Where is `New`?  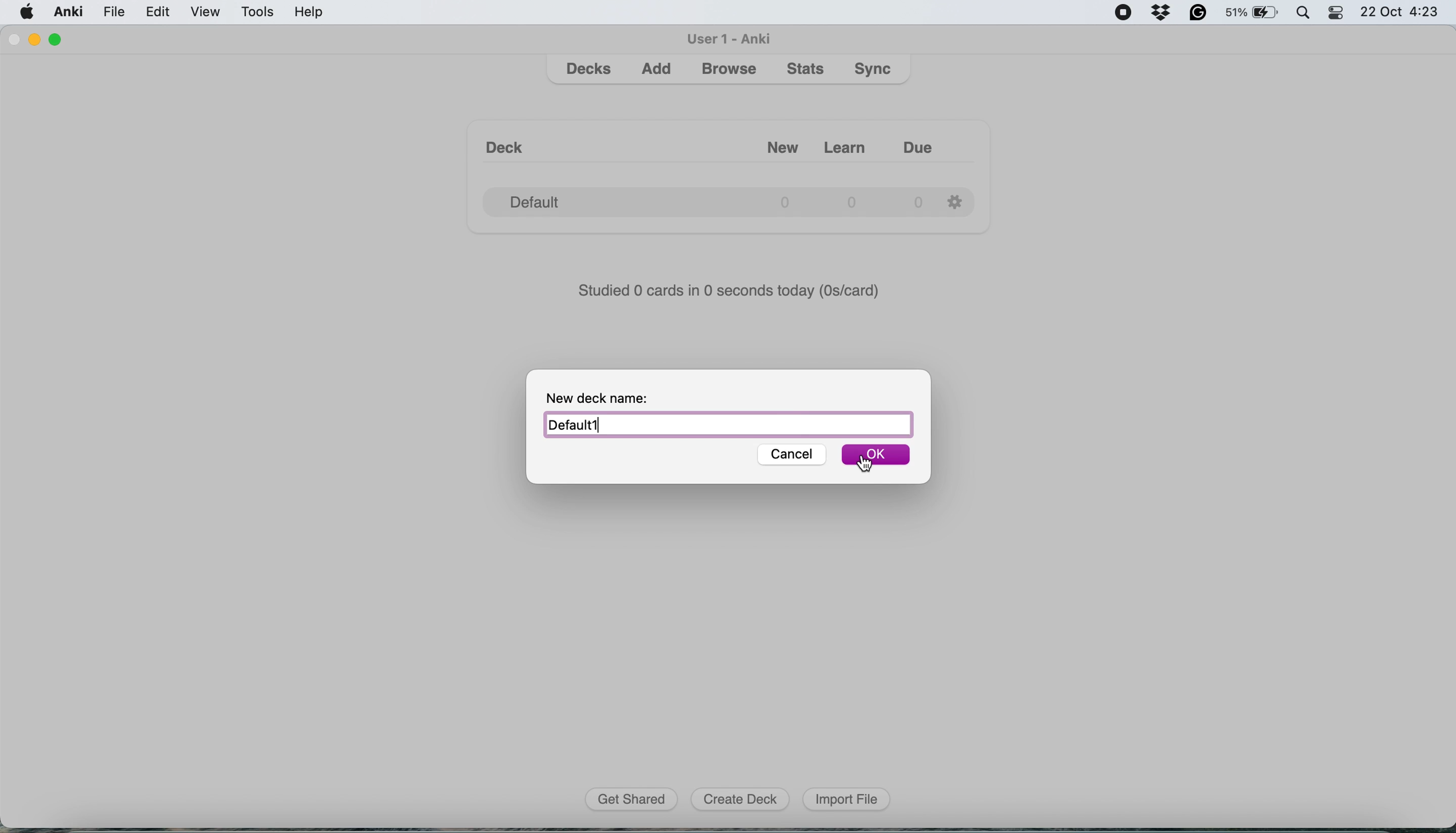 New is located at coordinates (769, 142).